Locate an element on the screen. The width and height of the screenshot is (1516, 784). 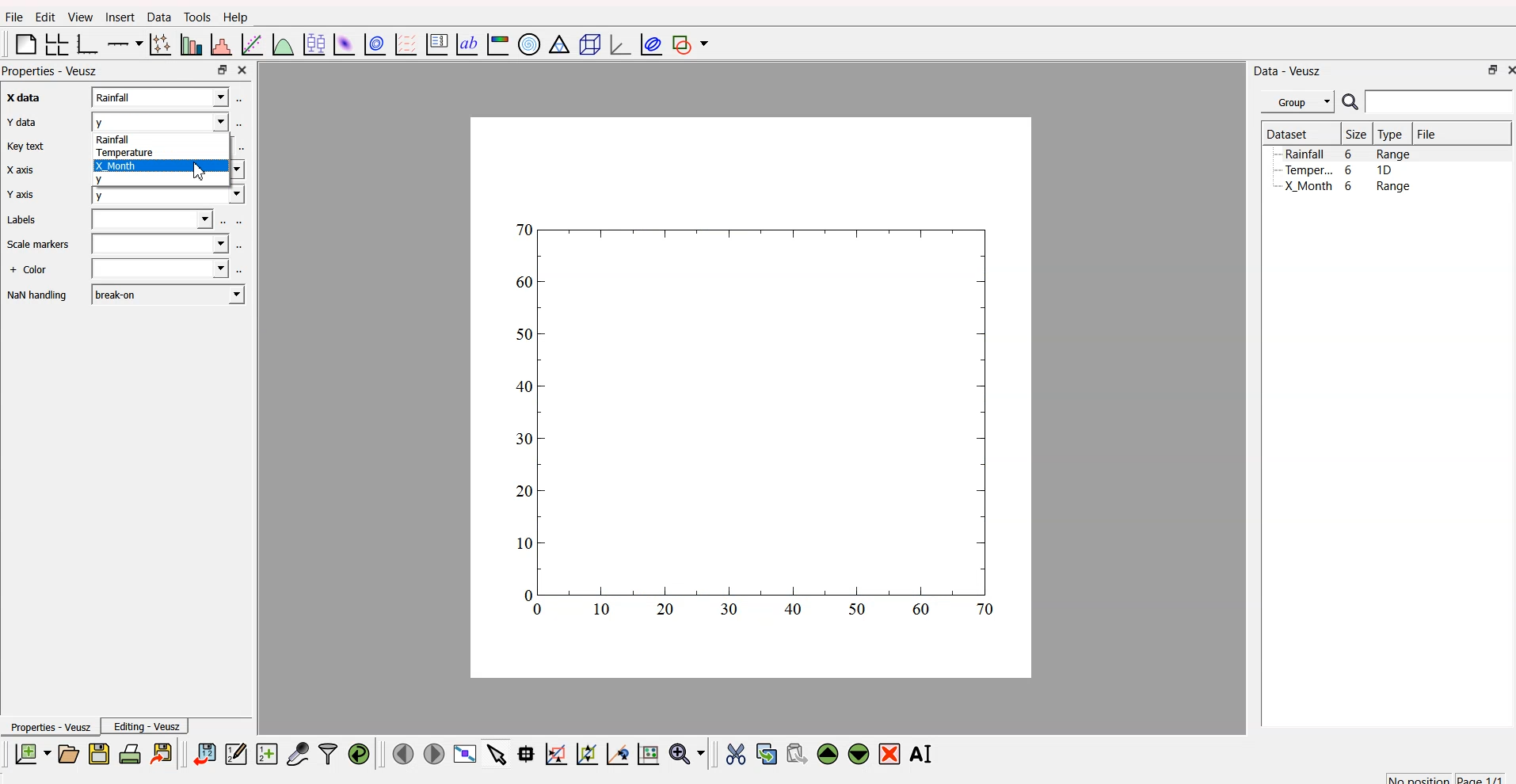
add shape to plot is located at coordinates (693, 45).